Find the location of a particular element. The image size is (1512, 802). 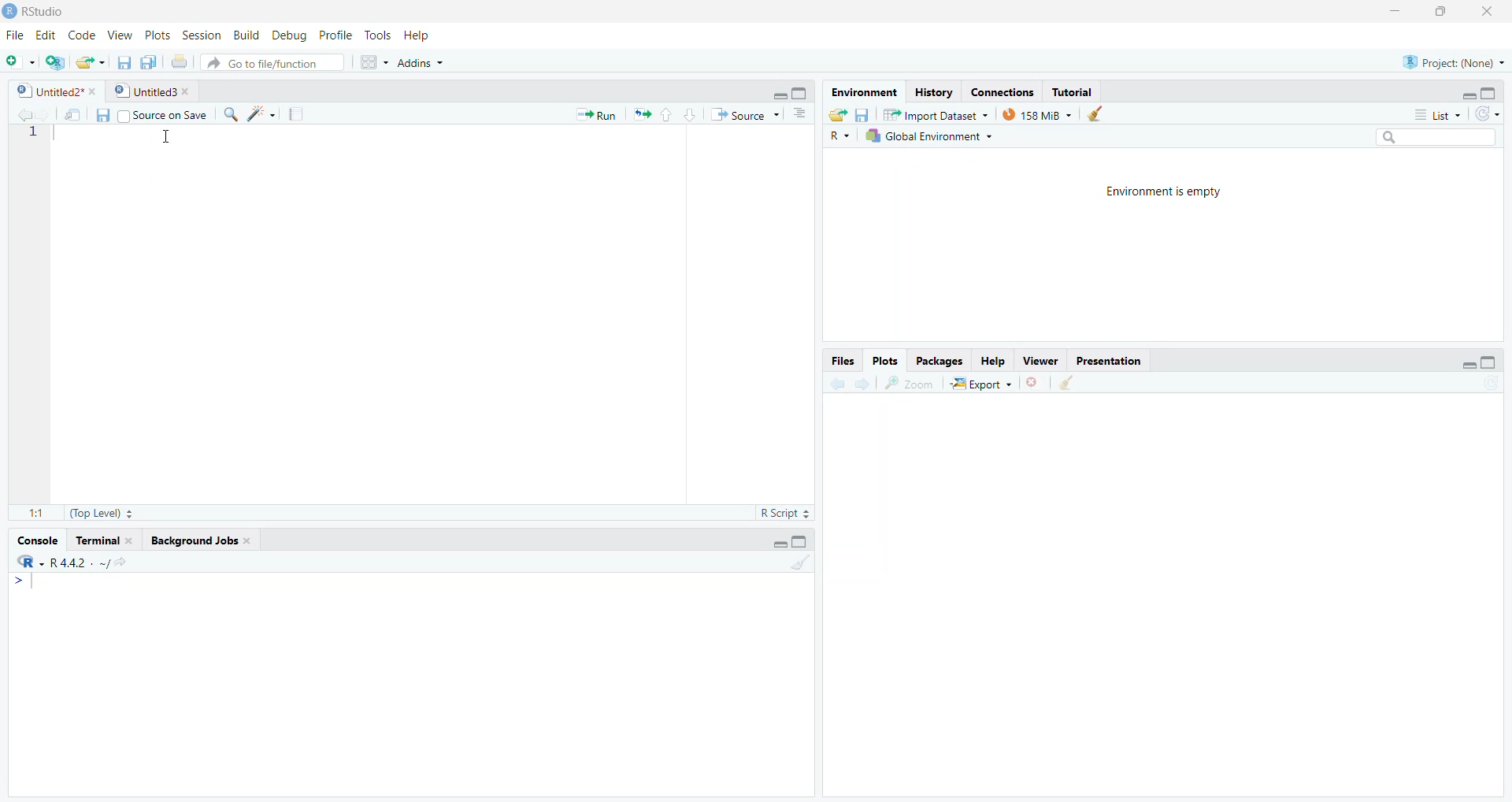

Packages is located at coordinates (942, 360).